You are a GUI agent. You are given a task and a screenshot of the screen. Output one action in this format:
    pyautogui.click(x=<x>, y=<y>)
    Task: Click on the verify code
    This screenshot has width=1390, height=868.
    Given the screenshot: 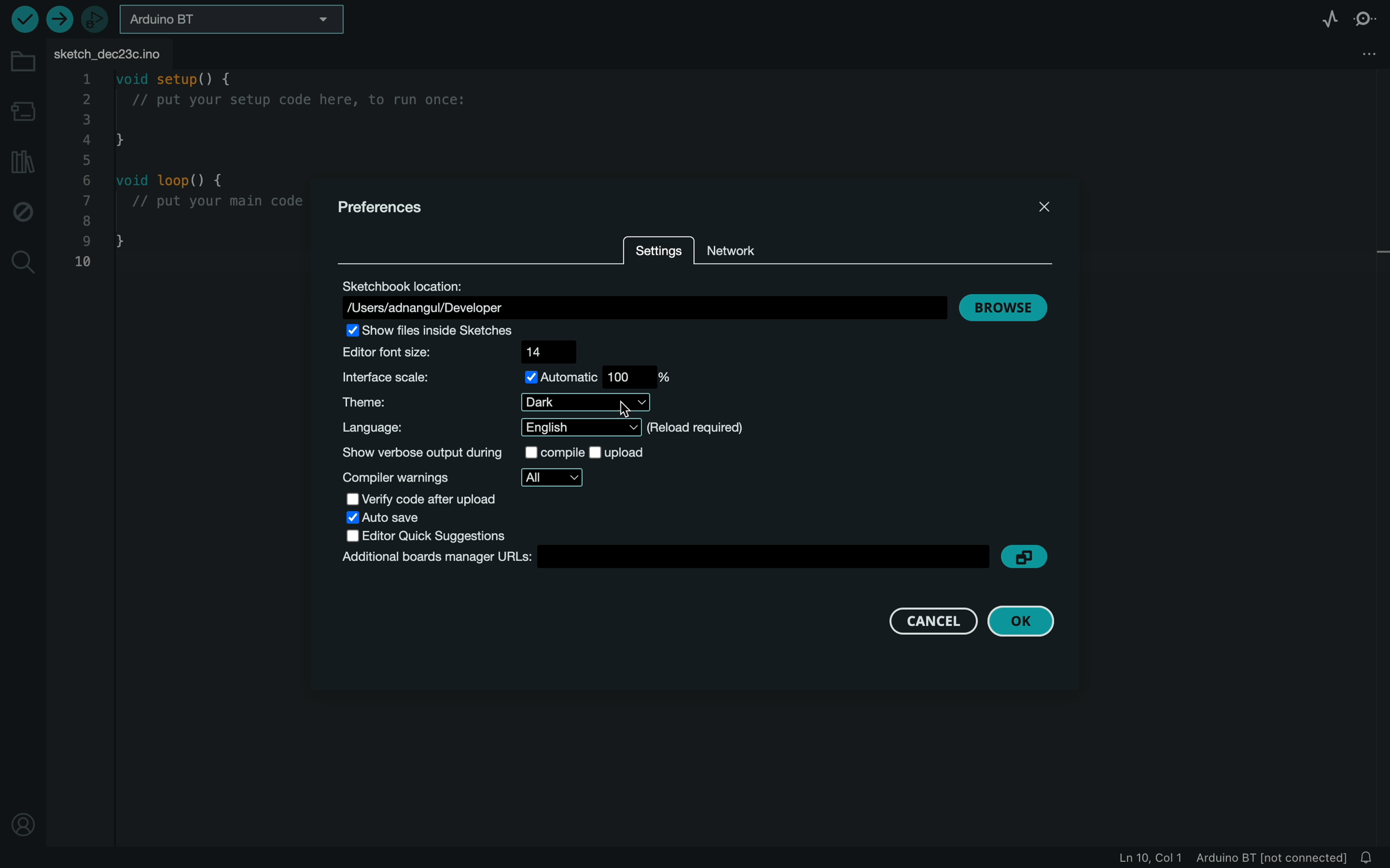 What is the action you would take?
    pyautogui.click(x=442, y=499)
    